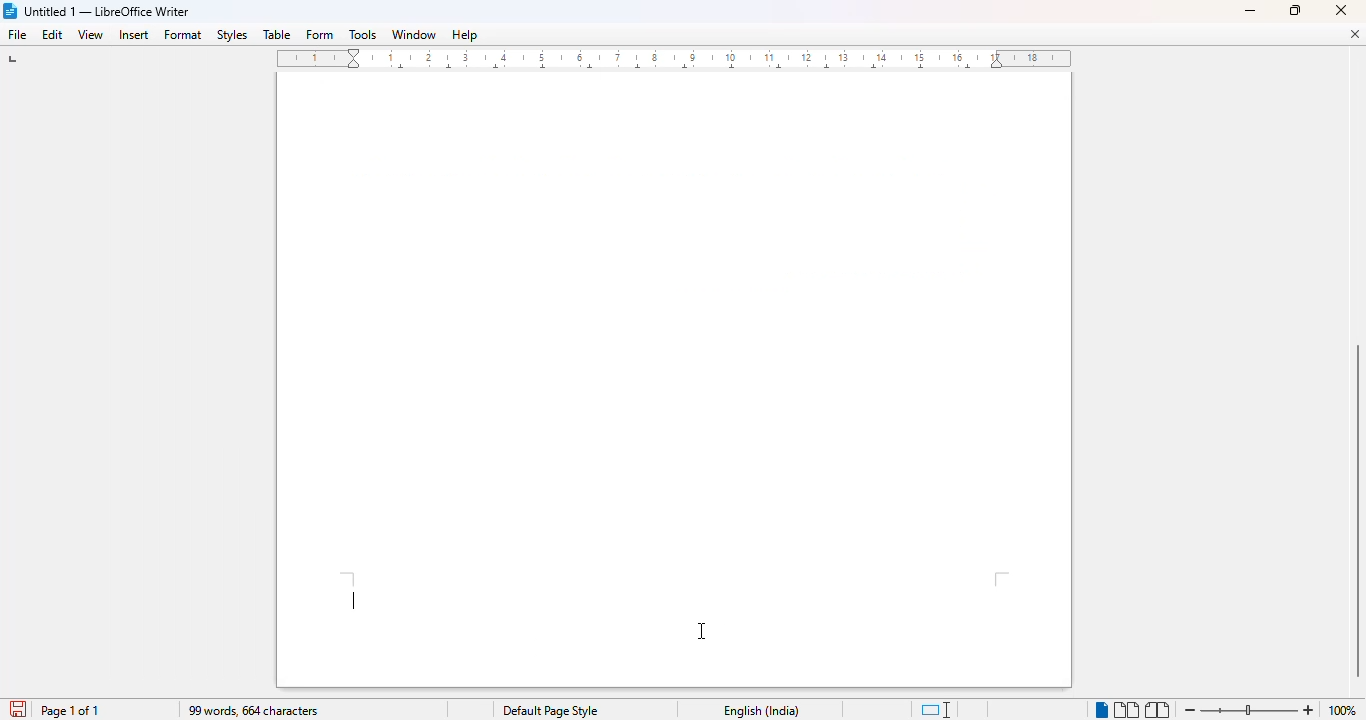 This screenshot has width=1366, height=720. What do you see at coordinates (464, 35) in the screenshot?
I see `help` at bounding box center [464, 35].